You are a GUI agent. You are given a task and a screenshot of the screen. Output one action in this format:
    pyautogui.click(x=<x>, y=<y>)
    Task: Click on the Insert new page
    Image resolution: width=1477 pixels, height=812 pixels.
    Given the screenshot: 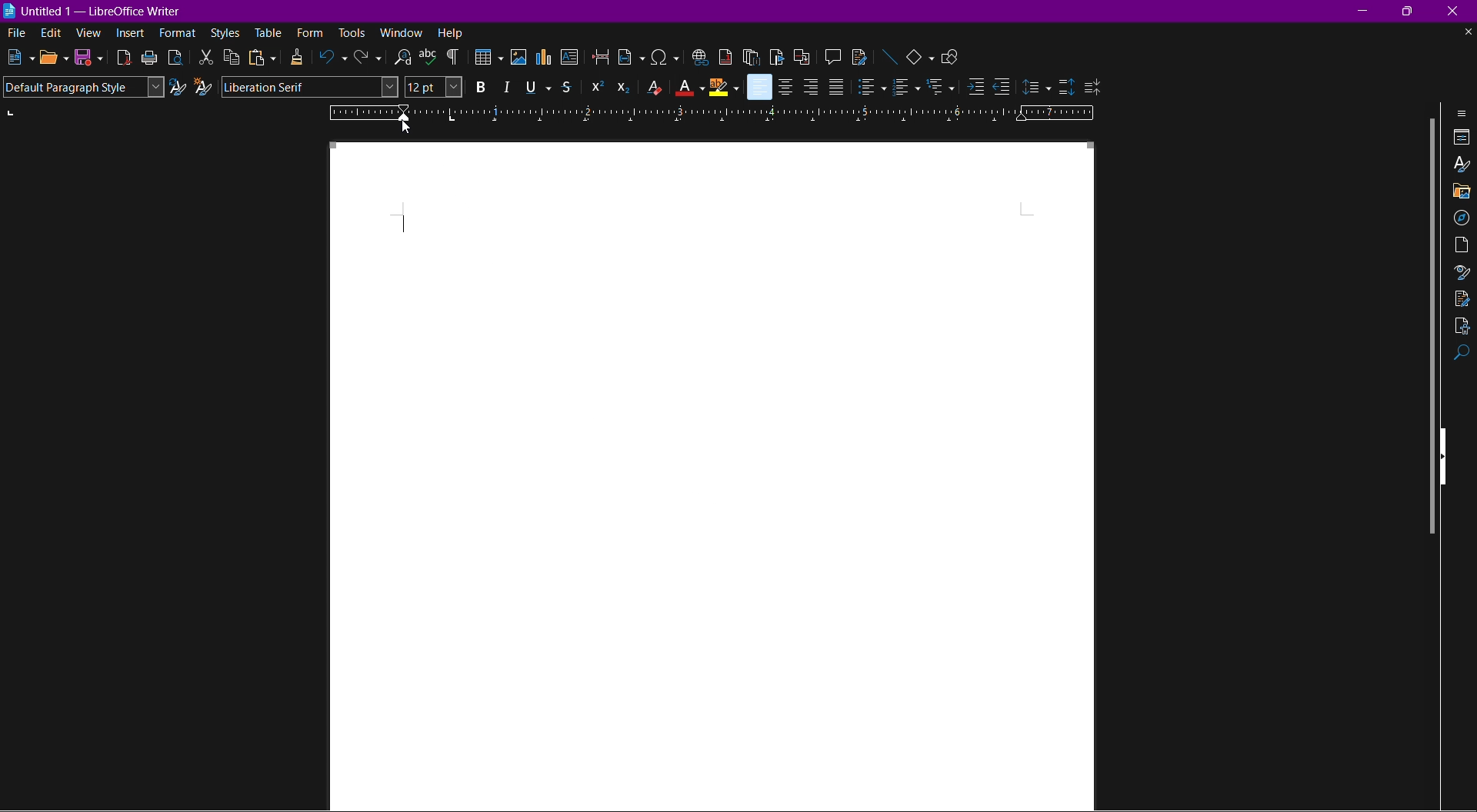 What is the action you would take?
    pyautogui.click(x=632, y=58)
    